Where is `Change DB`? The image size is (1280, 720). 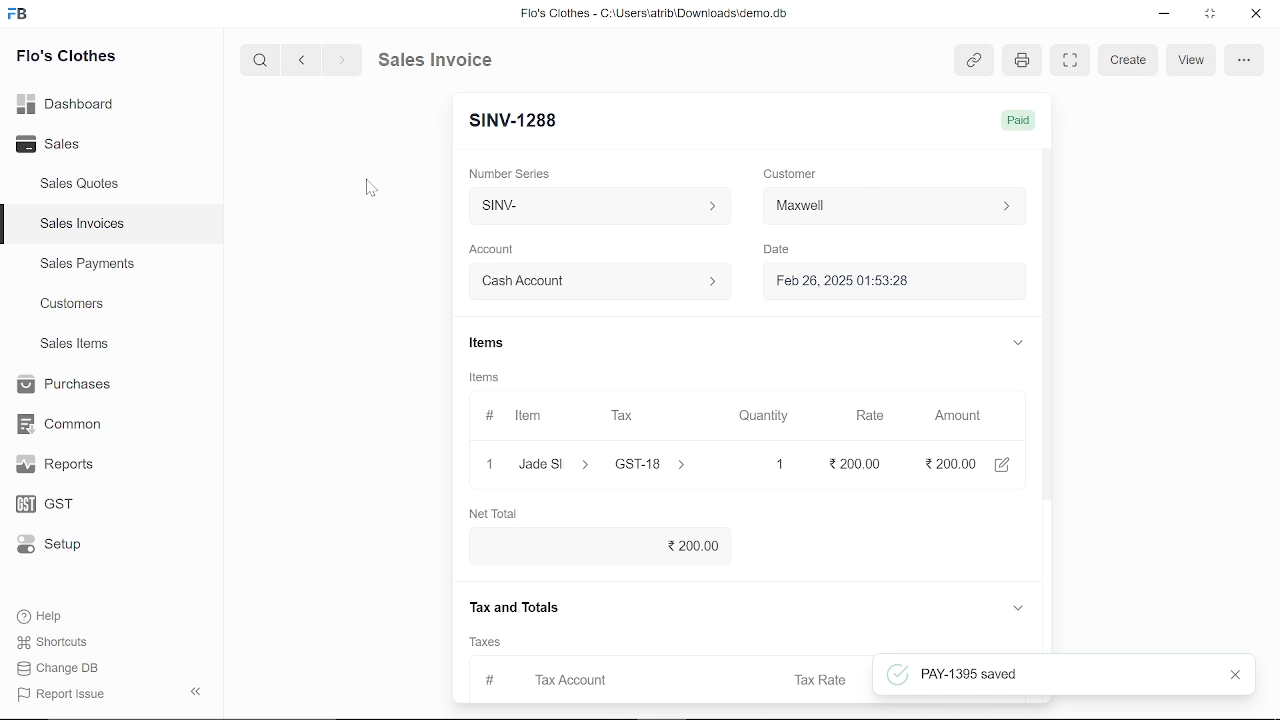
Change DB is located at coordinates (64, 668).